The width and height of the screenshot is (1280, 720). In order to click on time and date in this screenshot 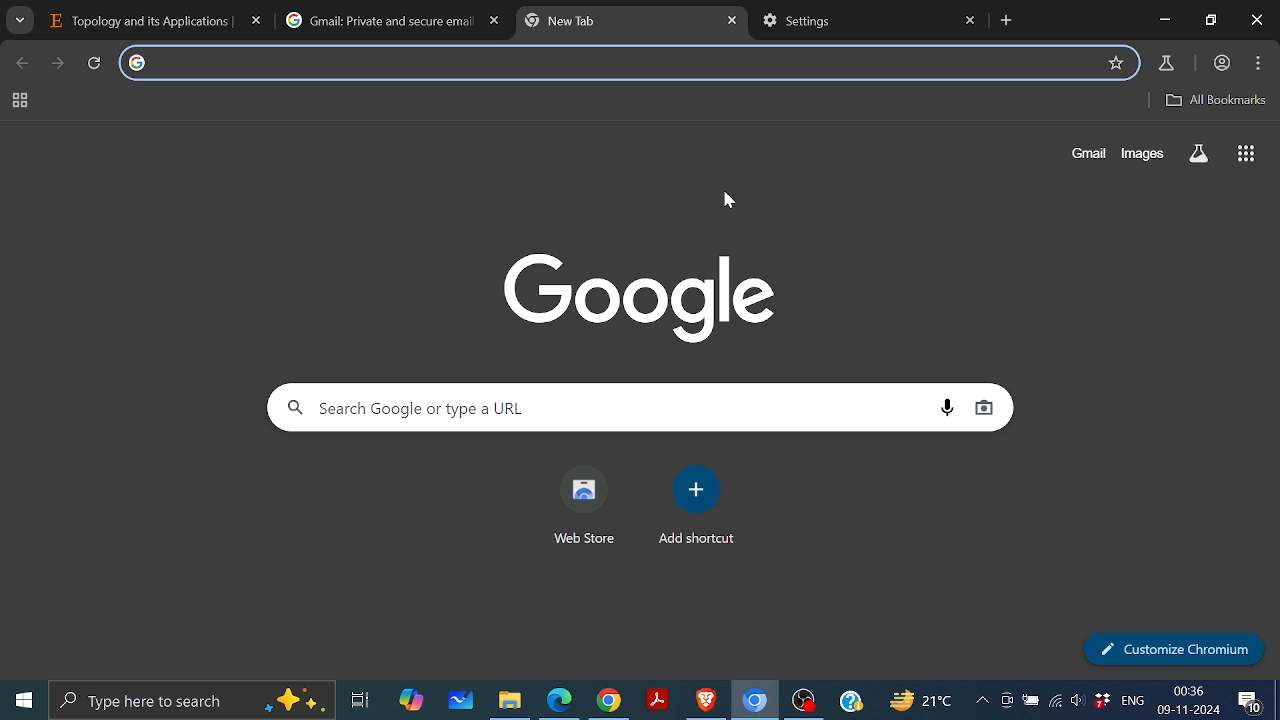, I will do `click(1190, 701)`.